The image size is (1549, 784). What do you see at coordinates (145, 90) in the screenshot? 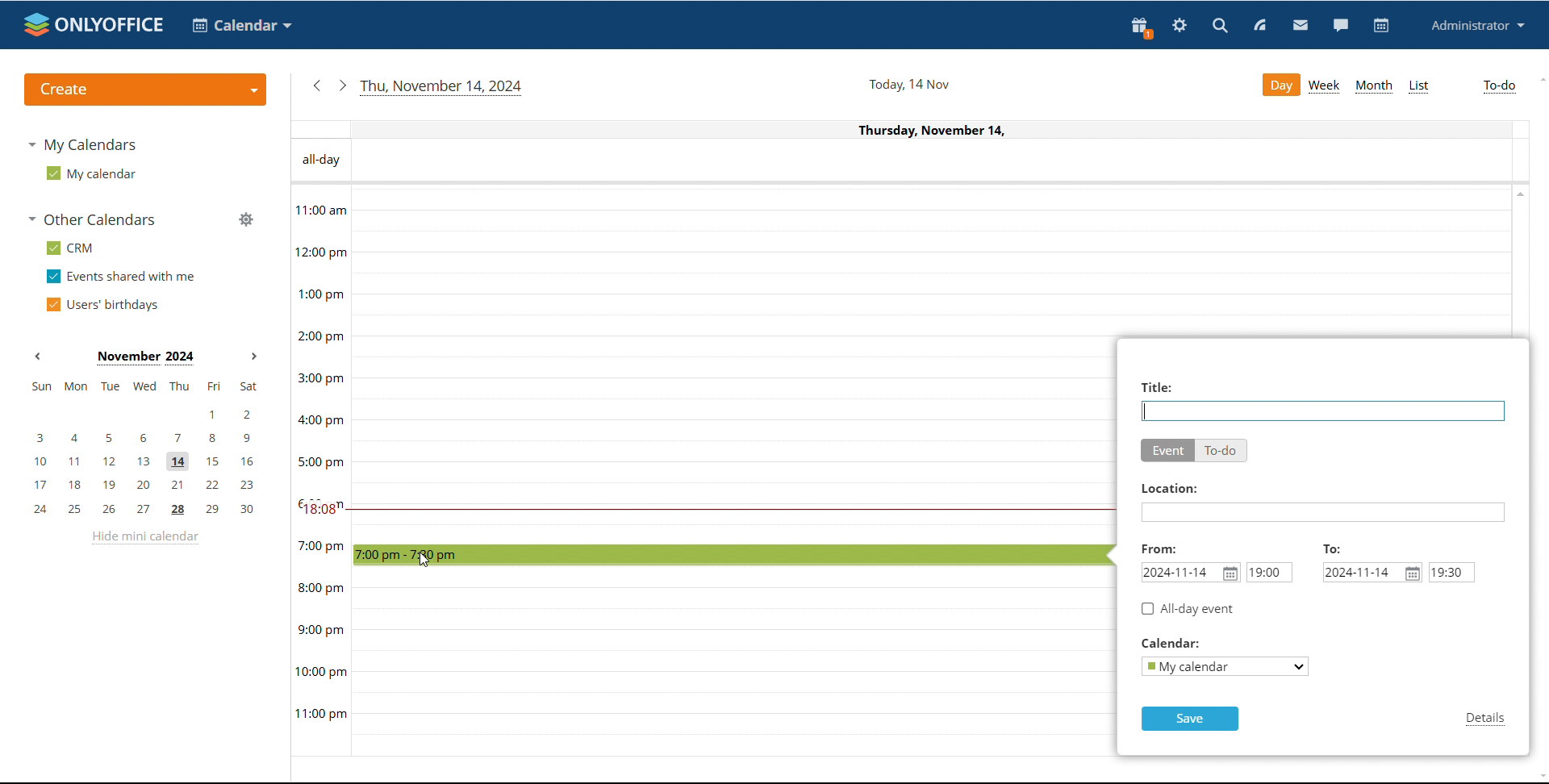
I see `create` at bounding box center [145, 90].